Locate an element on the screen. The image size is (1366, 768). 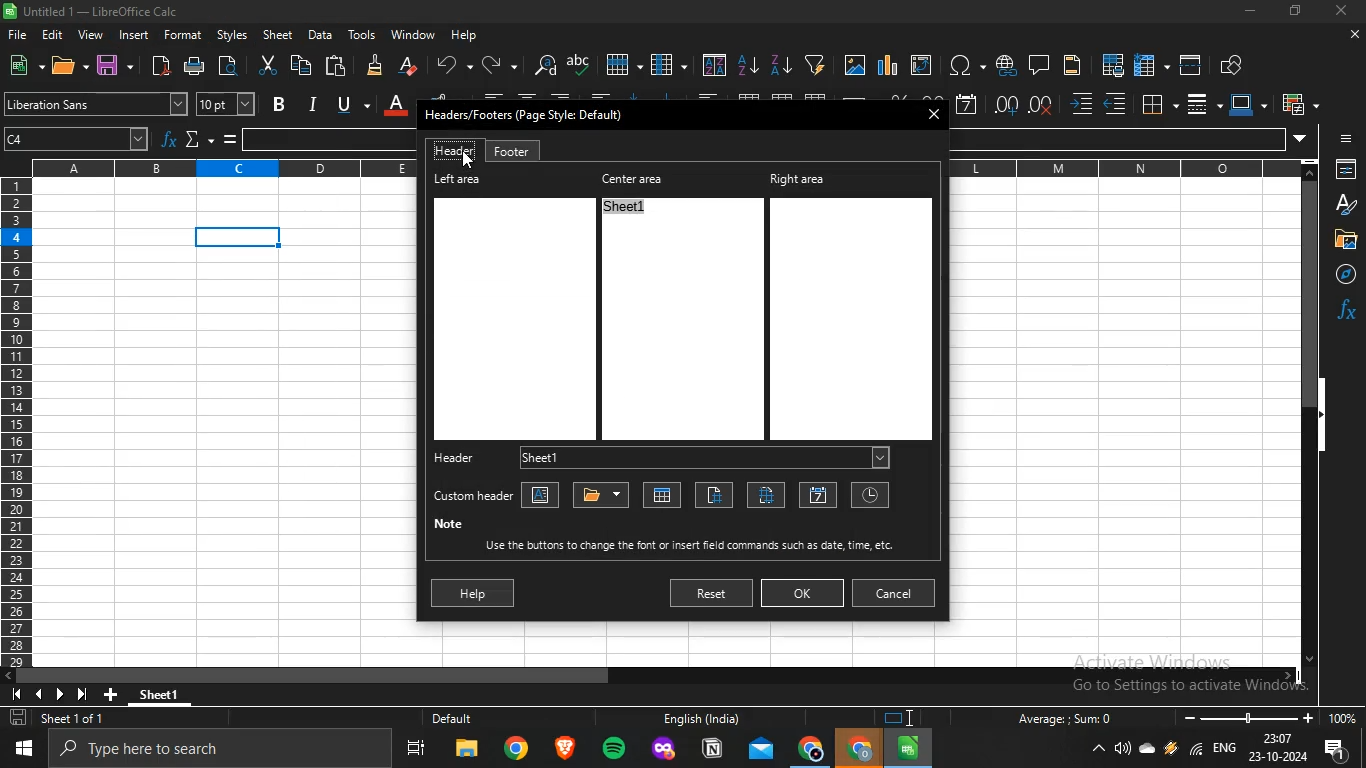
wifi is located at coordinates (1196, 753).